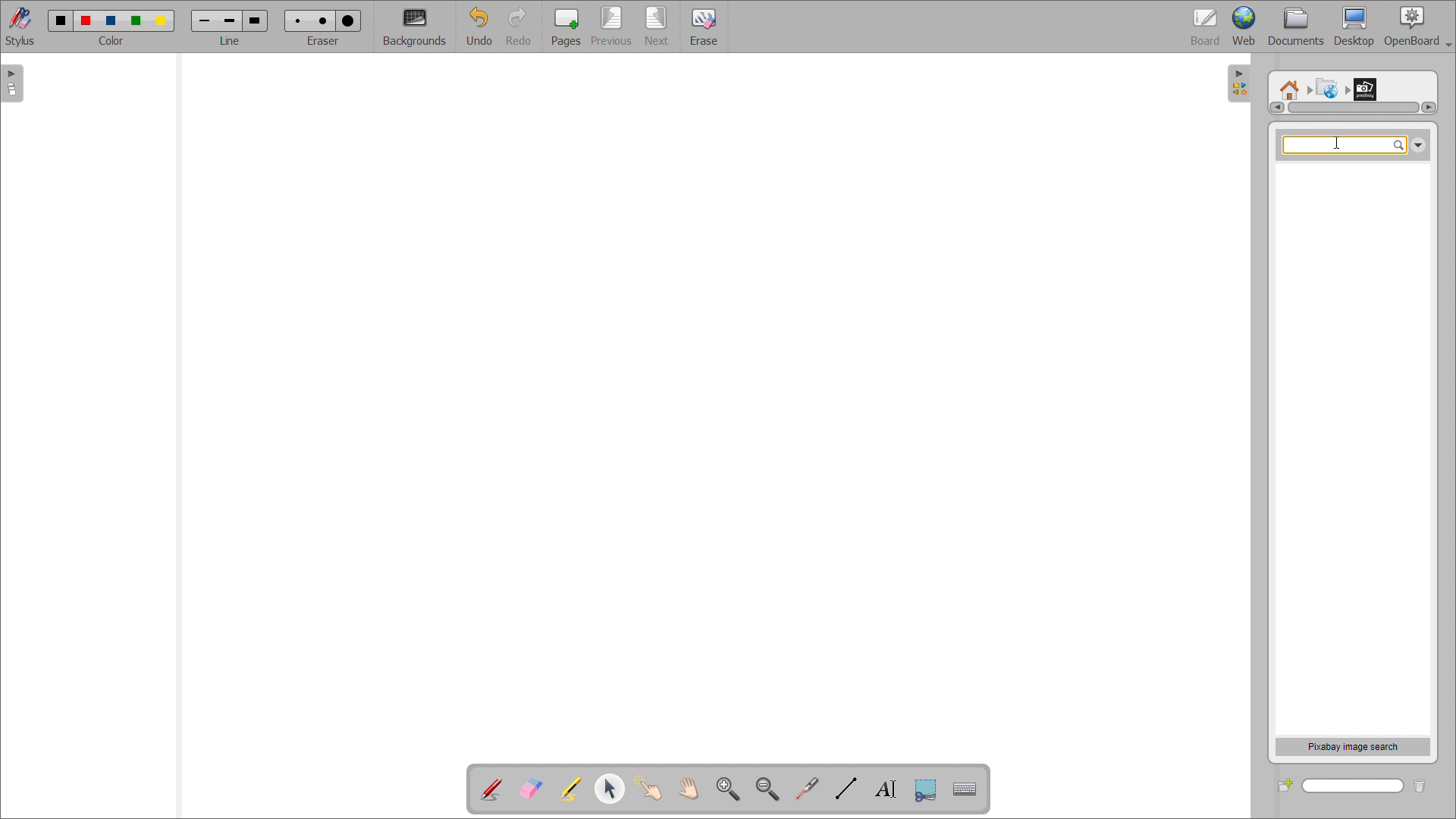  Describe the element at coordinates (728, 788) in the screenshot. I see `zoom in` at that location.